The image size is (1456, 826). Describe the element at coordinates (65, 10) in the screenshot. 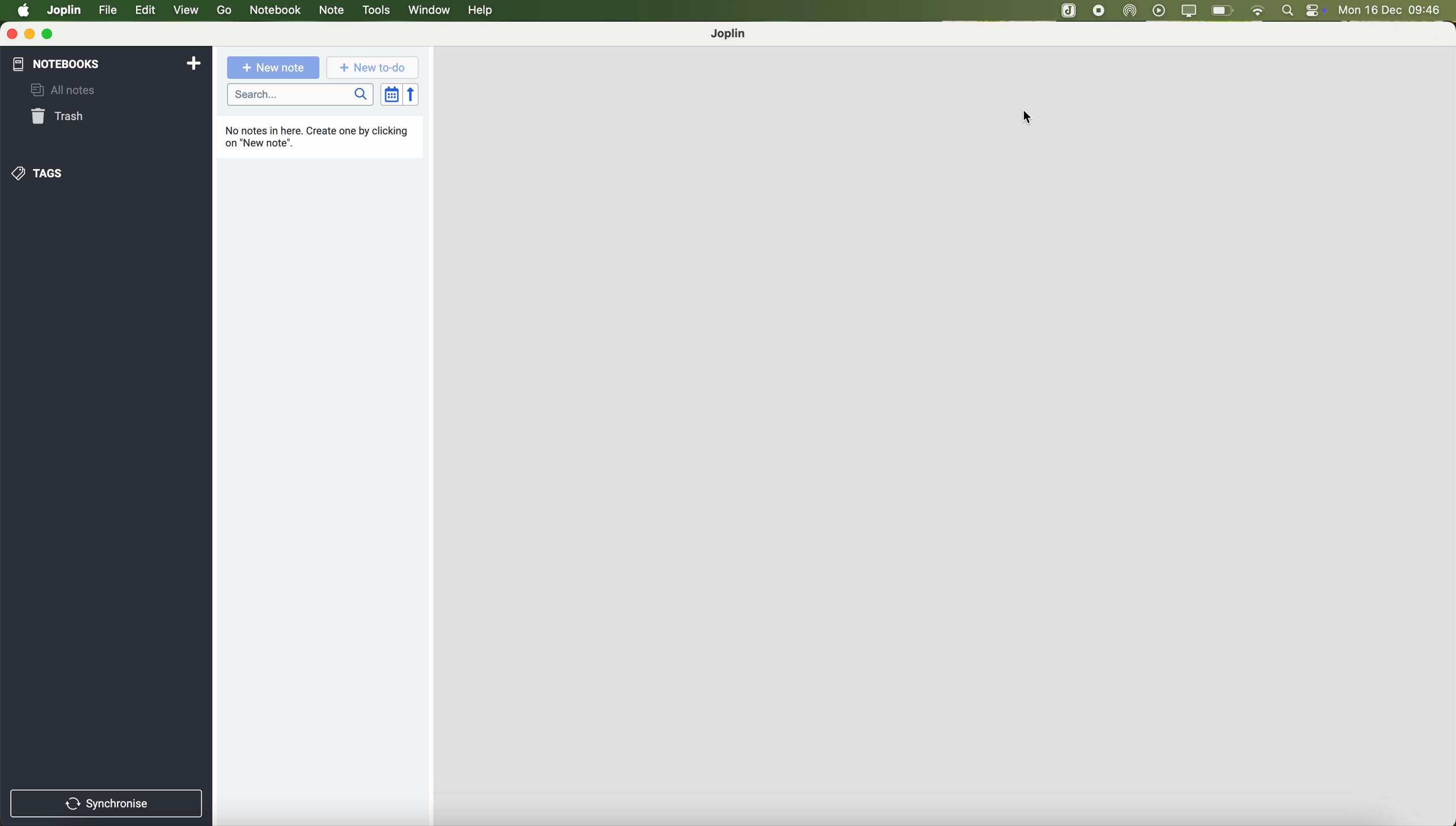

I see `Joplin` at that location.